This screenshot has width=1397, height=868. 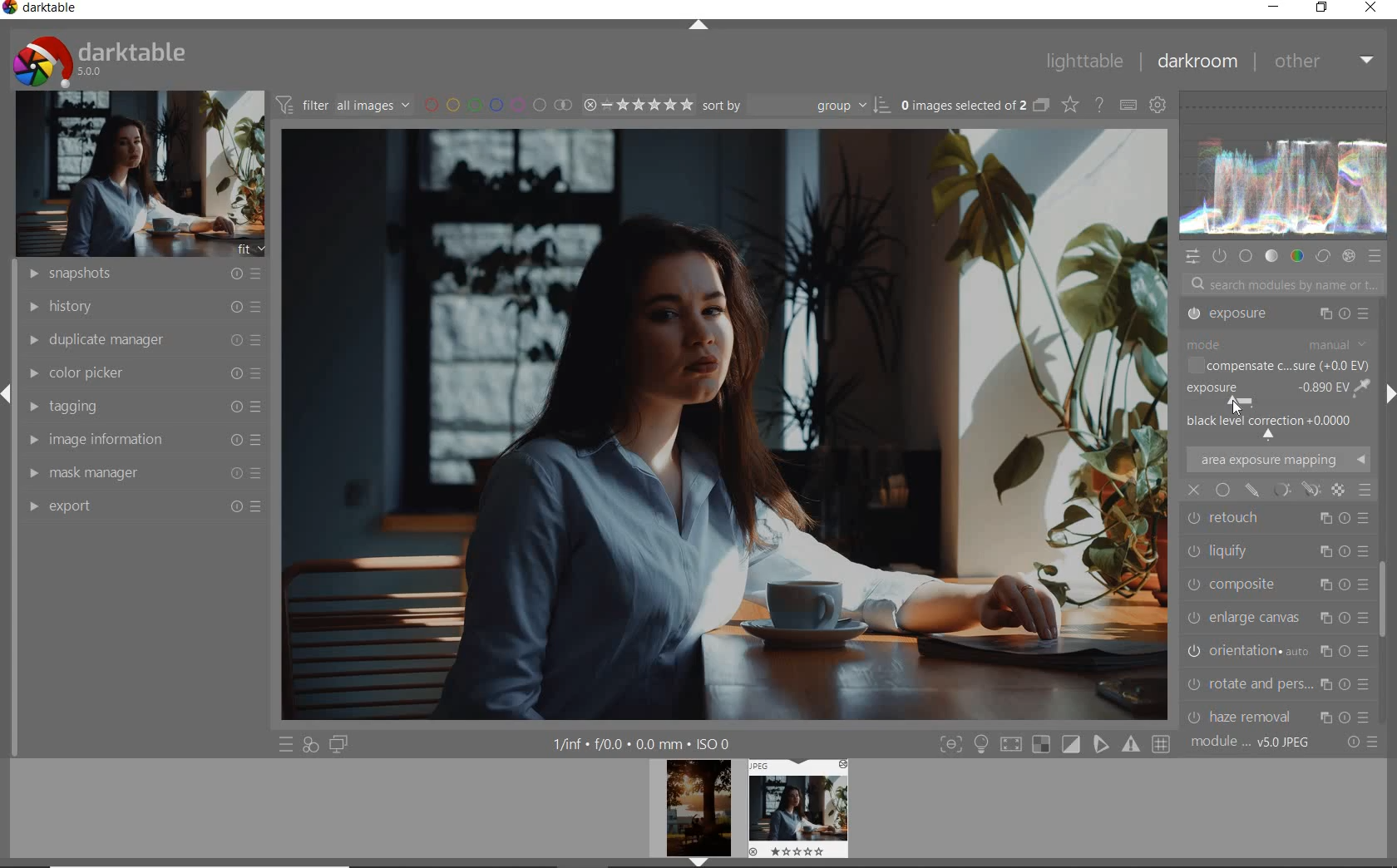 What do you see at coordinates (1248, 405) in the screenshot?
I see `cursor position` at bounding box center [1248, 405].